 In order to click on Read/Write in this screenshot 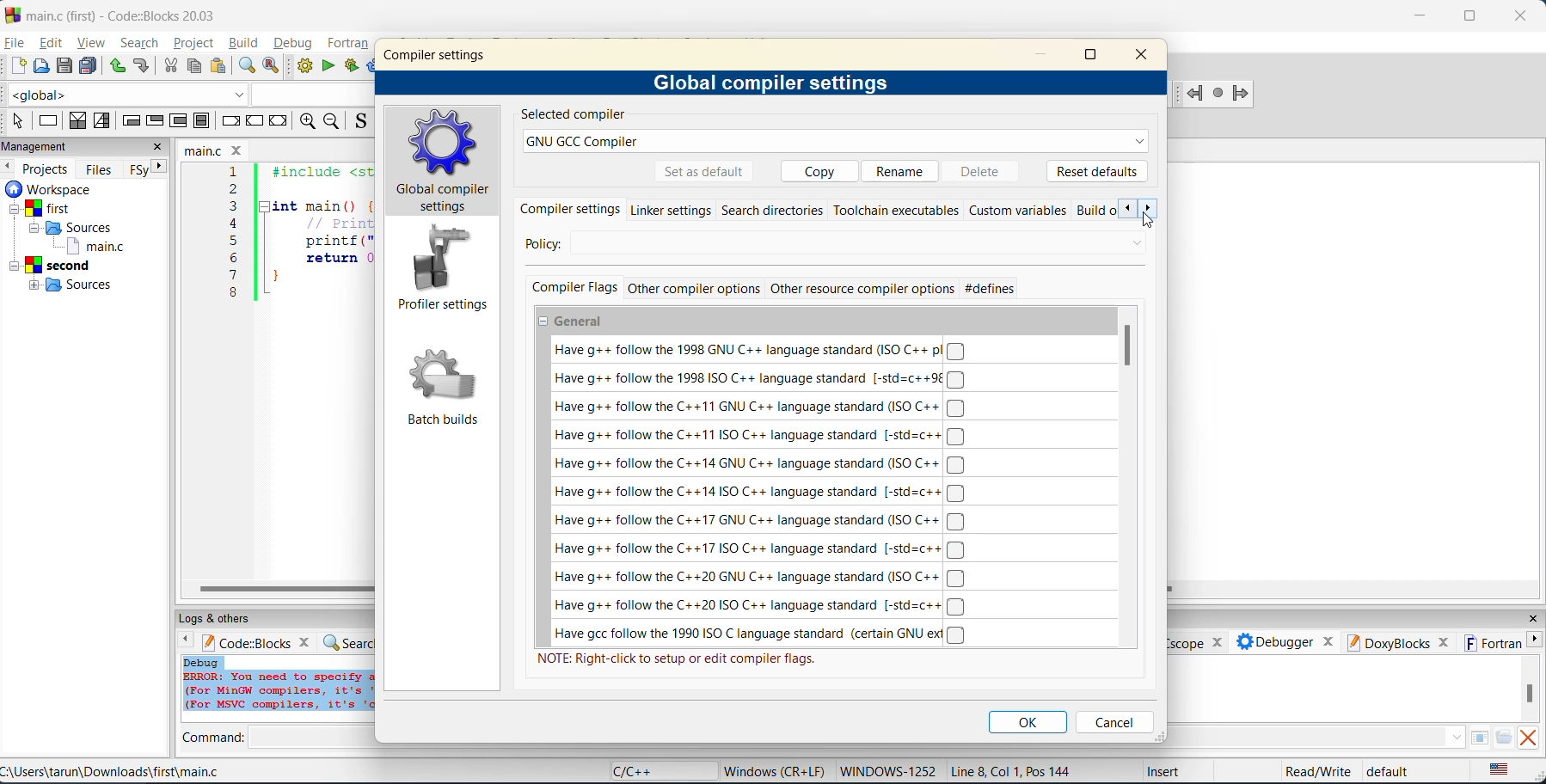, I will do `click(1316, 770)`.